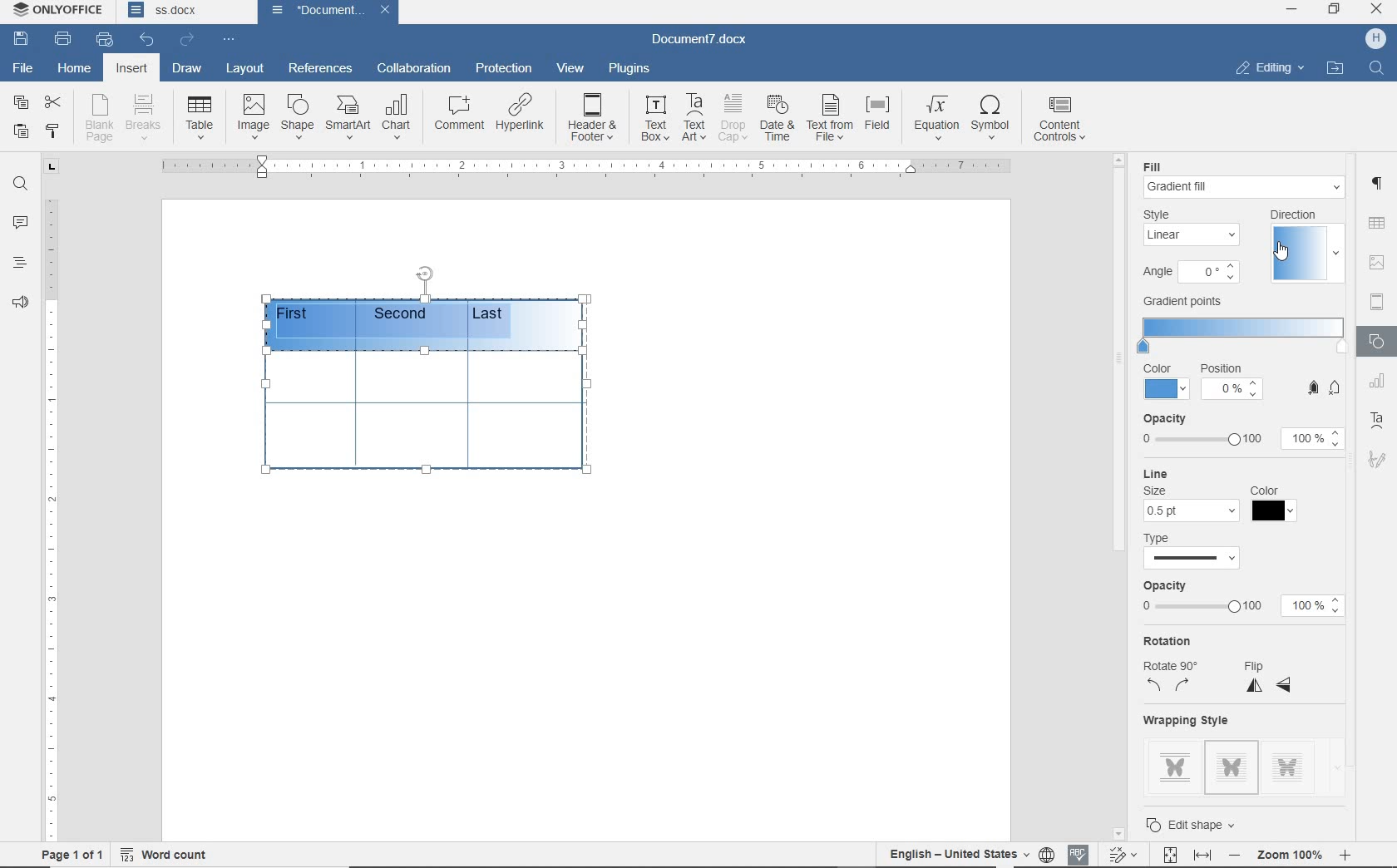 This screenshot has width=1397, height=868. I want to click on ruler, so click(51, 520).